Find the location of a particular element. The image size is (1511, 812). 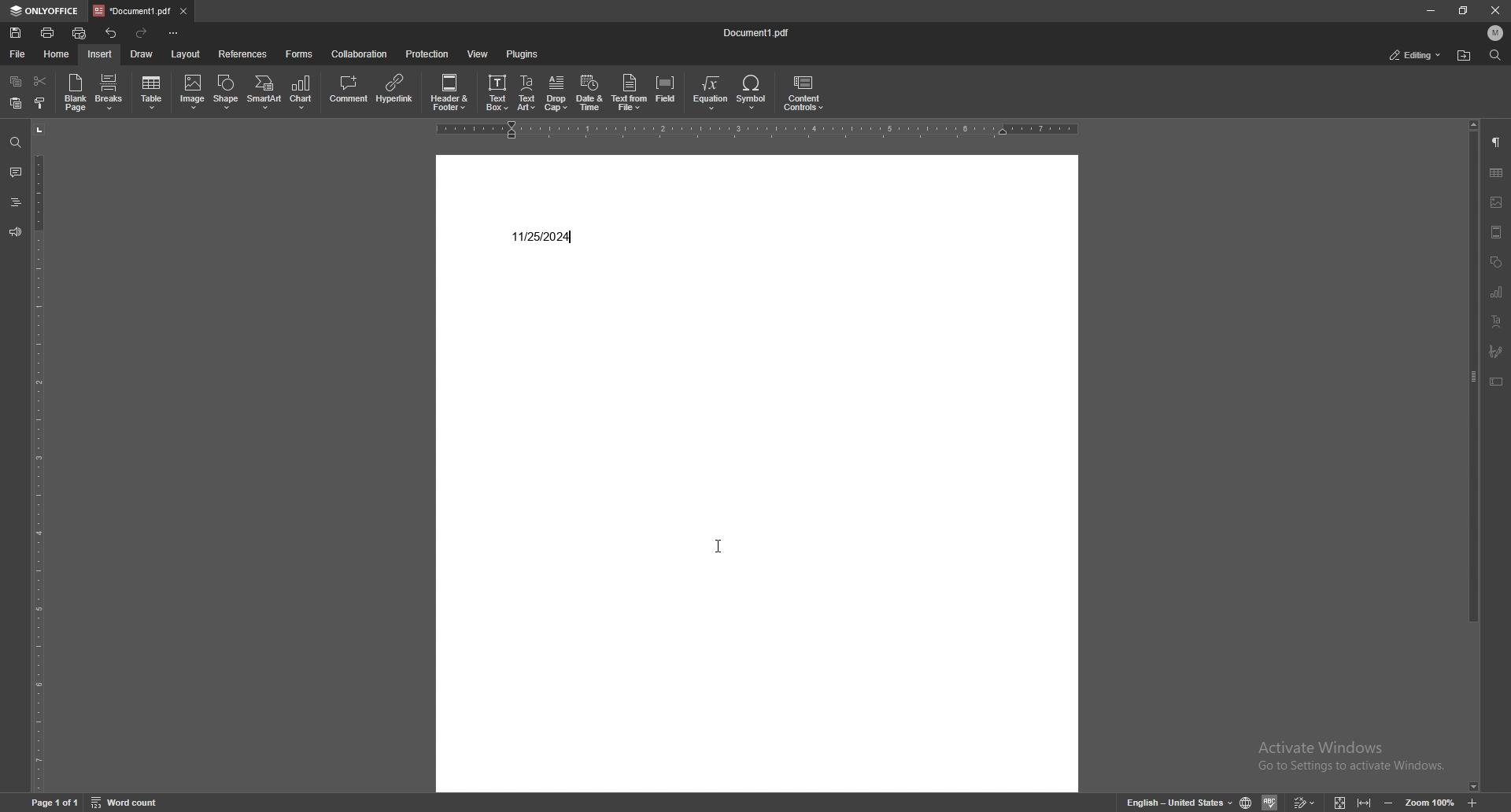

page 1 of 1 is located at coordinates (54, 803).